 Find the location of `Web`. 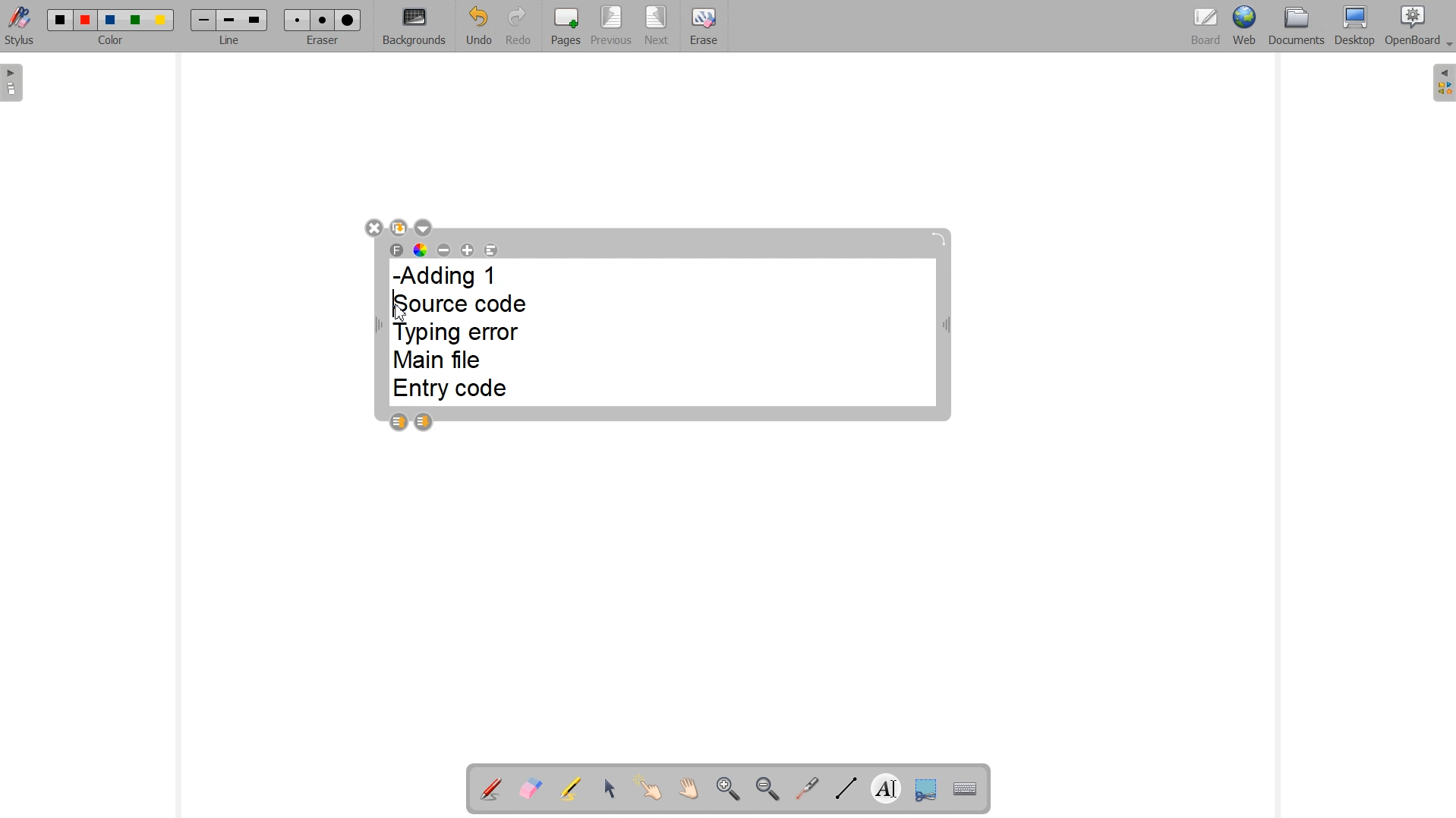

Web is located at coordinates (1244, 27).